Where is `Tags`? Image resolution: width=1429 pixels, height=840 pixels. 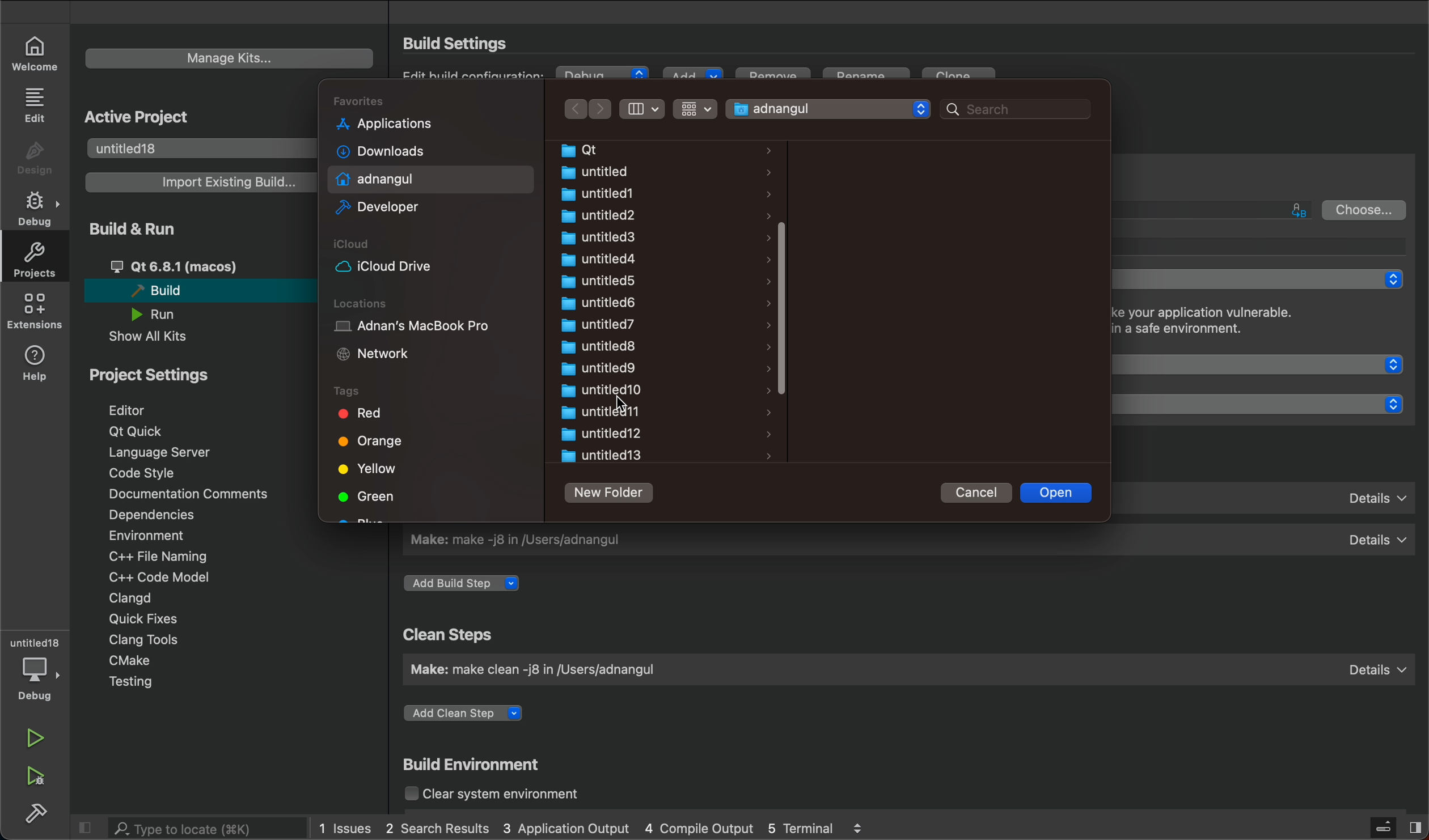
Tags is located at coordinates (346, 389).